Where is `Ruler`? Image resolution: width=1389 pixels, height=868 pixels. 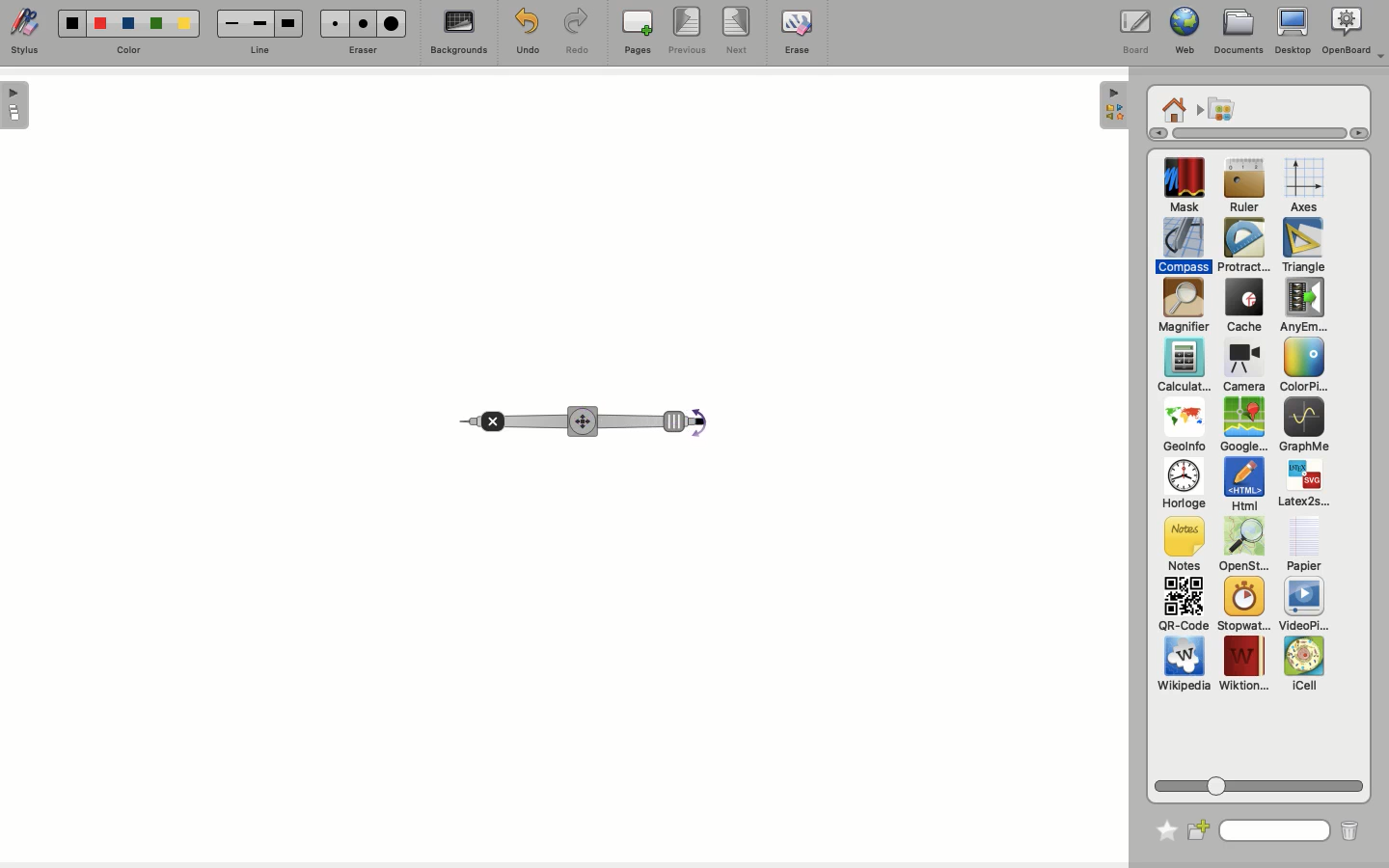
Ruler is located at coordinates (1244, 187).